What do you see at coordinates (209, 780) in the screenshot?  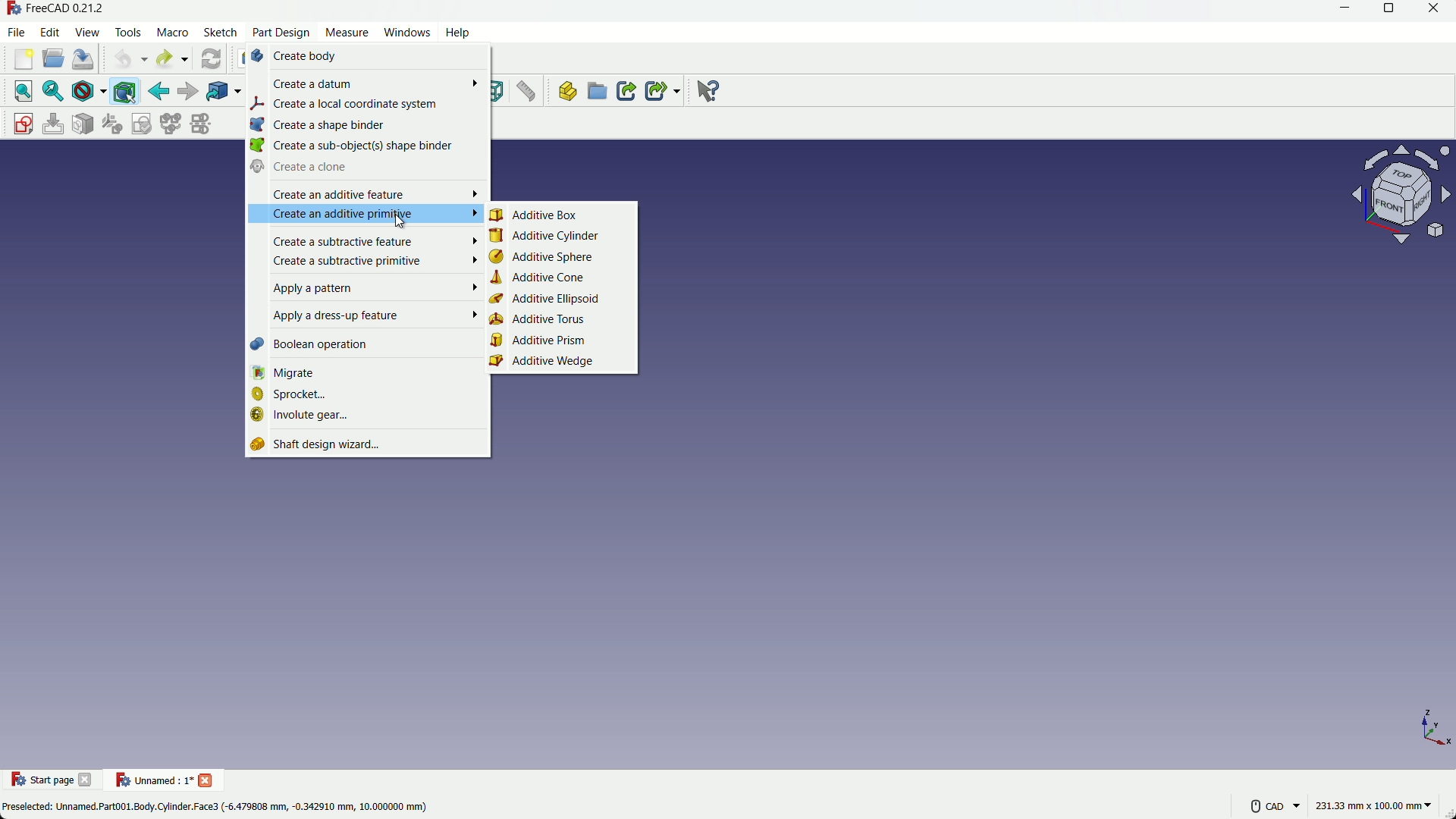 I see `close project` at bounding box center [209, 780].